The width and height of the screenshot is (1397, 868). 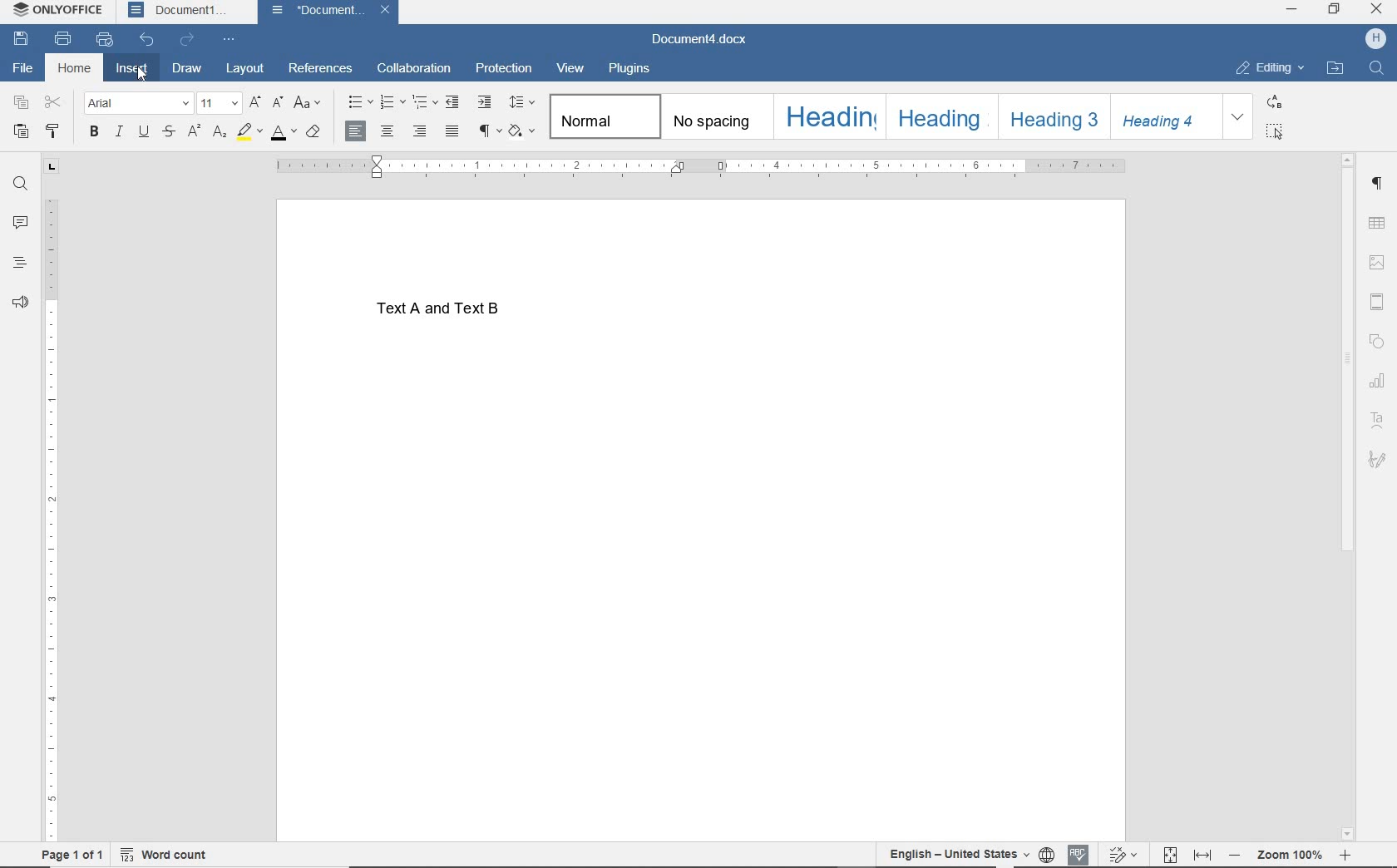 What do you see at coordinates (248, 133) in the screenshot?
I see `HIGHLIGHT COLOR` at bounding box center [248, 133].